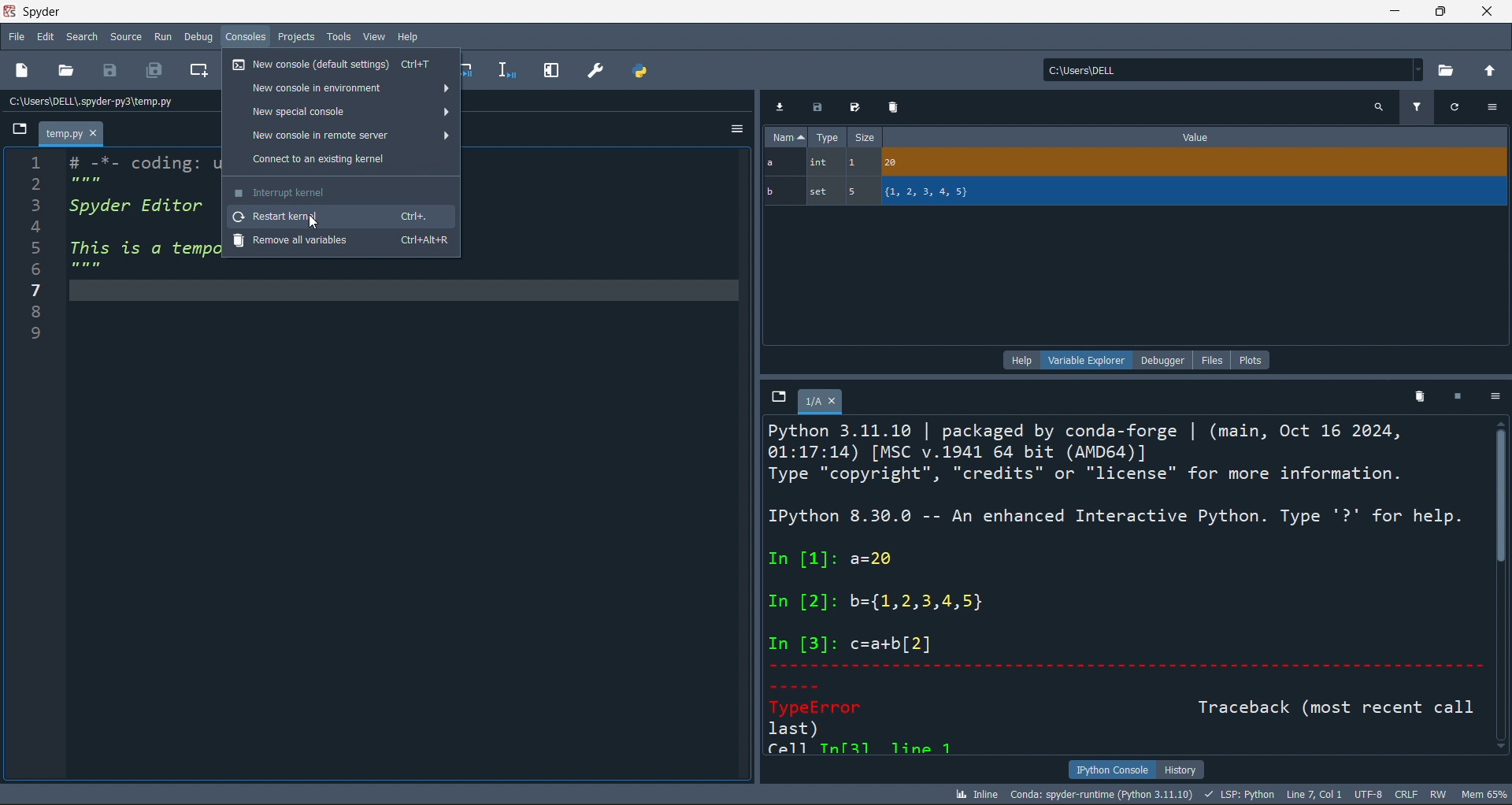 Image resolution: width=1512 pixels, height=805 pixels. I want to click on more options, so click(1492, 106).